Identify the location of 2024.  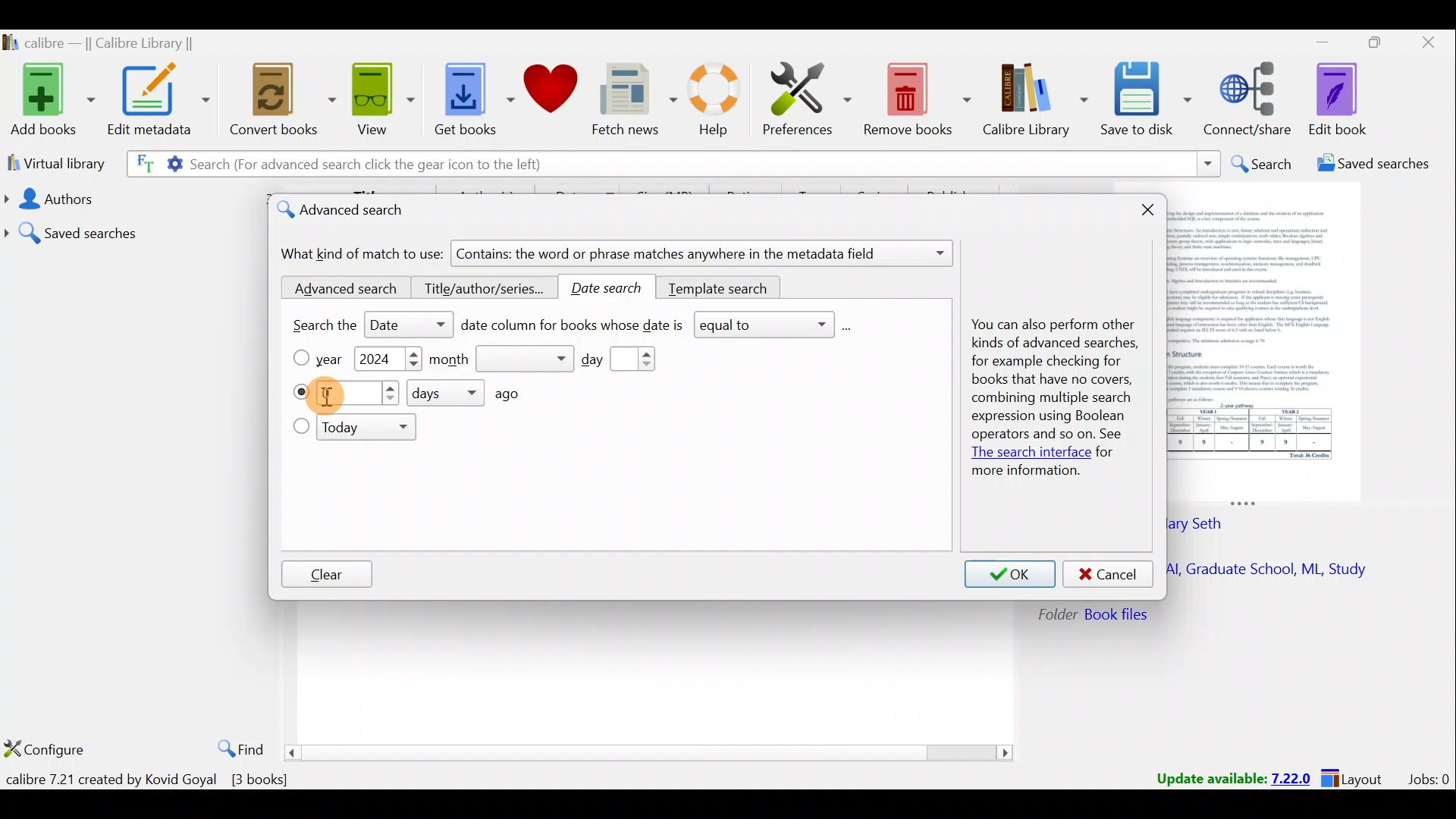
(376, 361).